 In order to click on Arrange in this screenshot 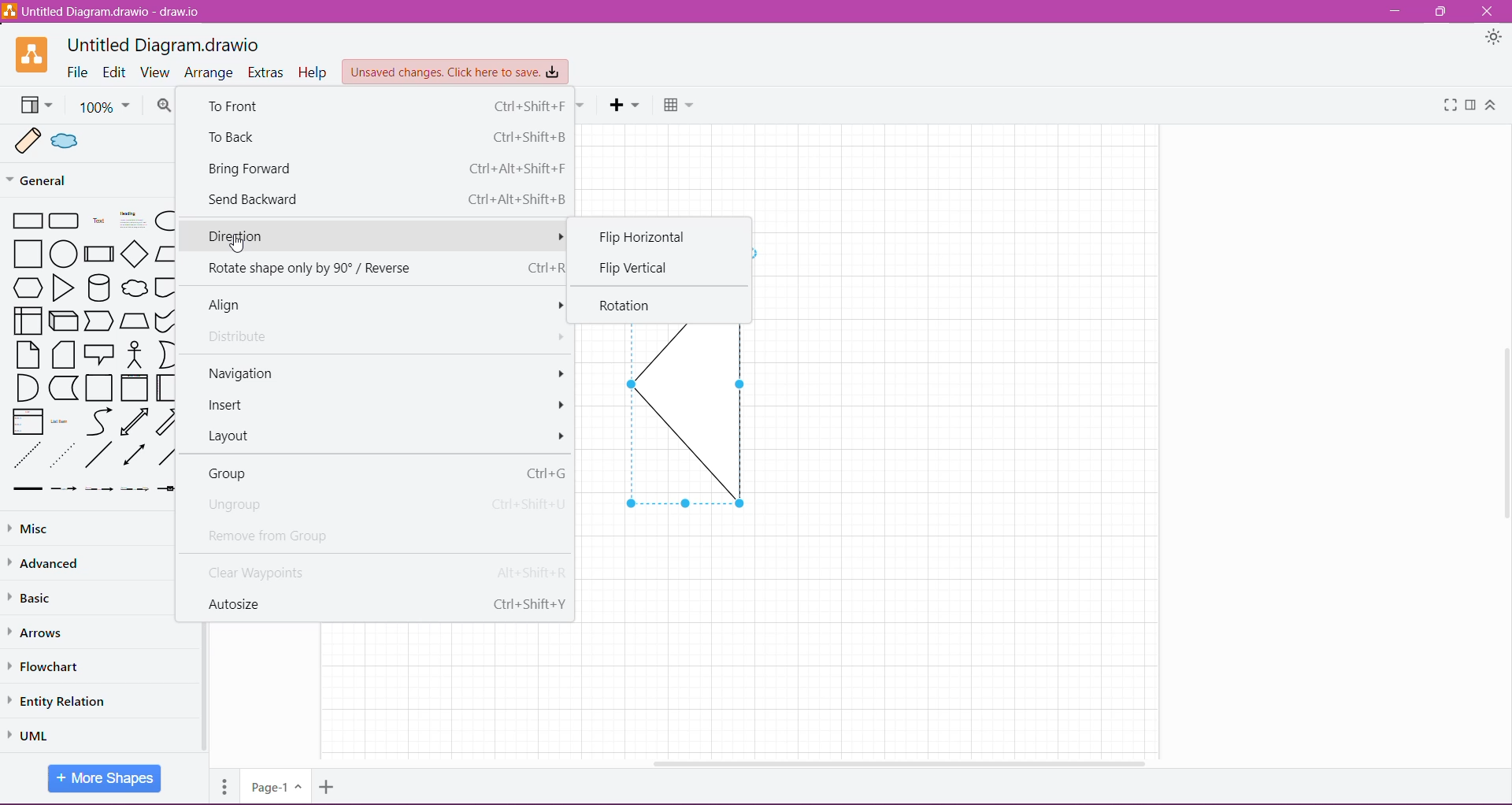, I will do `click(210, 72)`.